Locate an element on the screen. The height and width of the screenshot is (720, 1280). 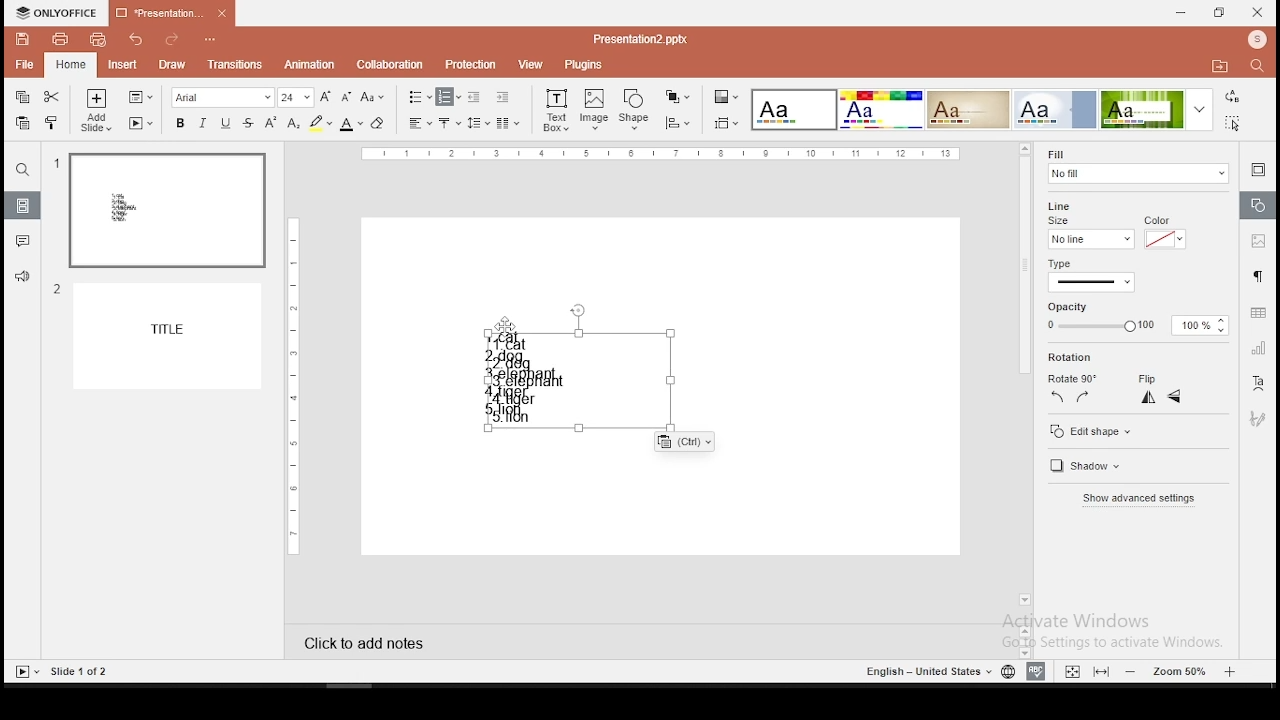
numbering is located at coordinates (449, 97).